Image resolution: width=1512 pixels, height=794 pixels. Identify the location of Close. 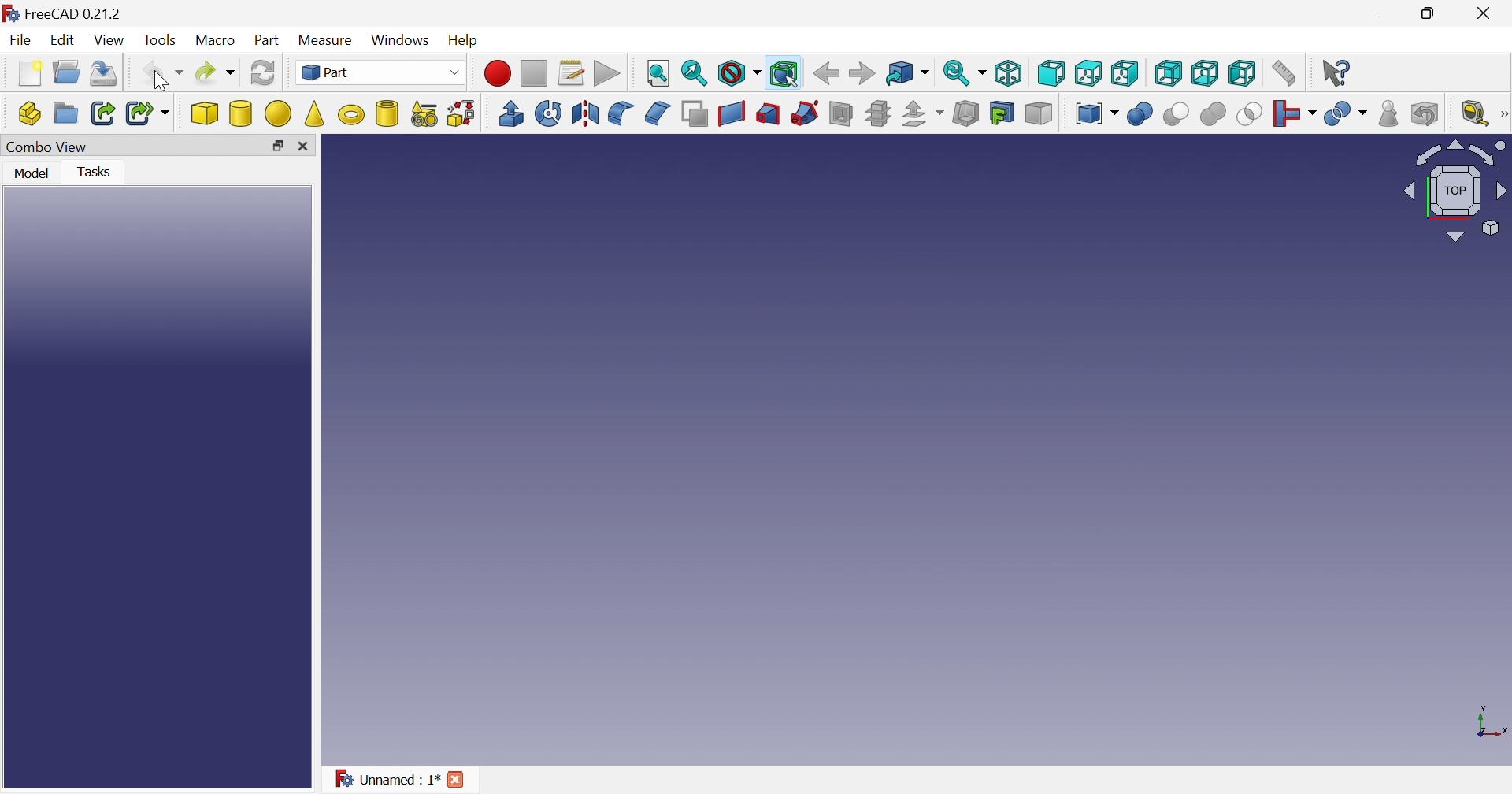
(456, 781).